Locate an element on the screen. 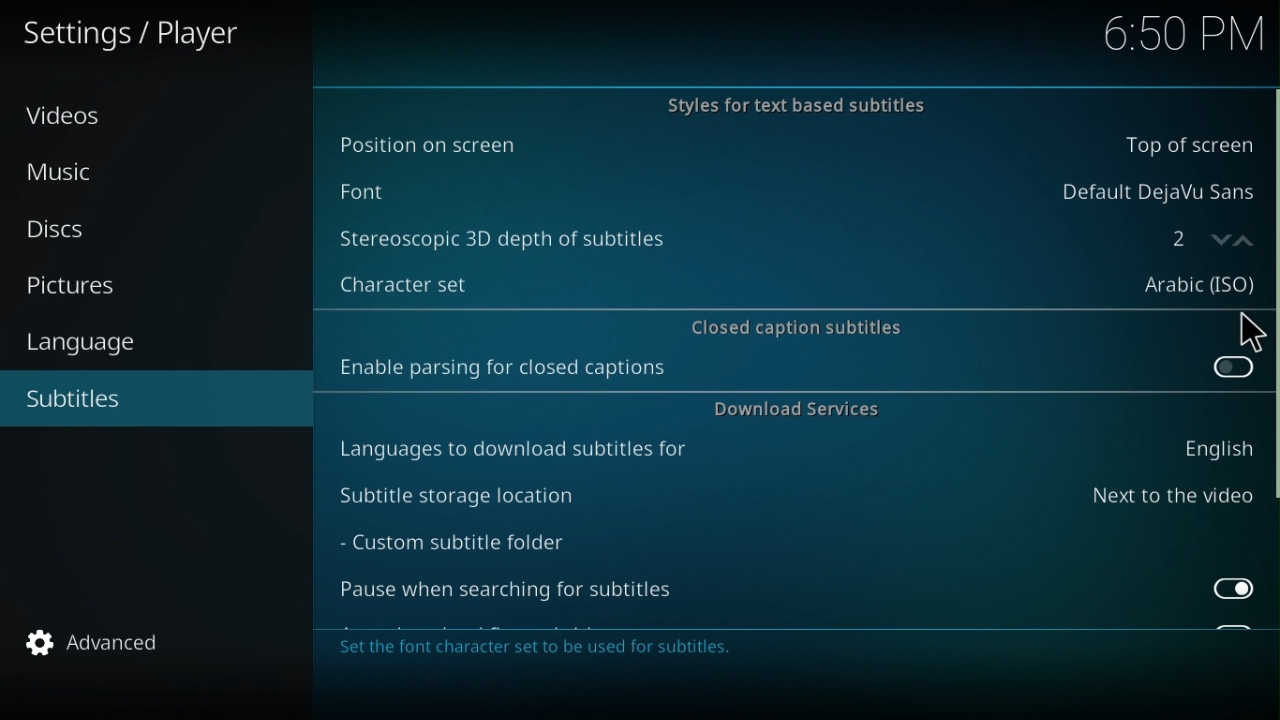 The width and height of the screenshot is (1280, 720). Font is located at coordinates (683, 191).